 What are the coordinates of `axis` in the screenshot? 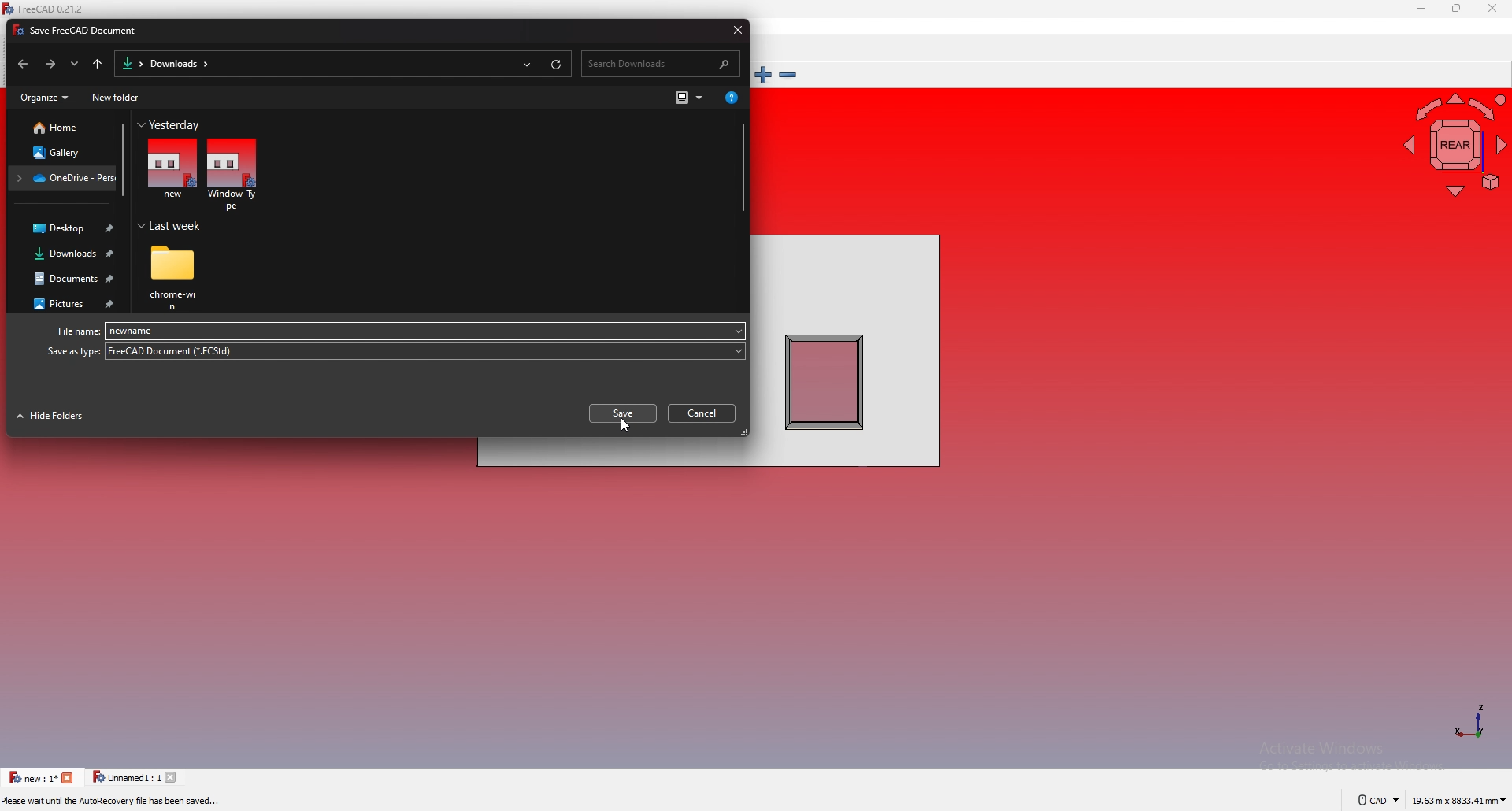 It's located at (1470, 720).